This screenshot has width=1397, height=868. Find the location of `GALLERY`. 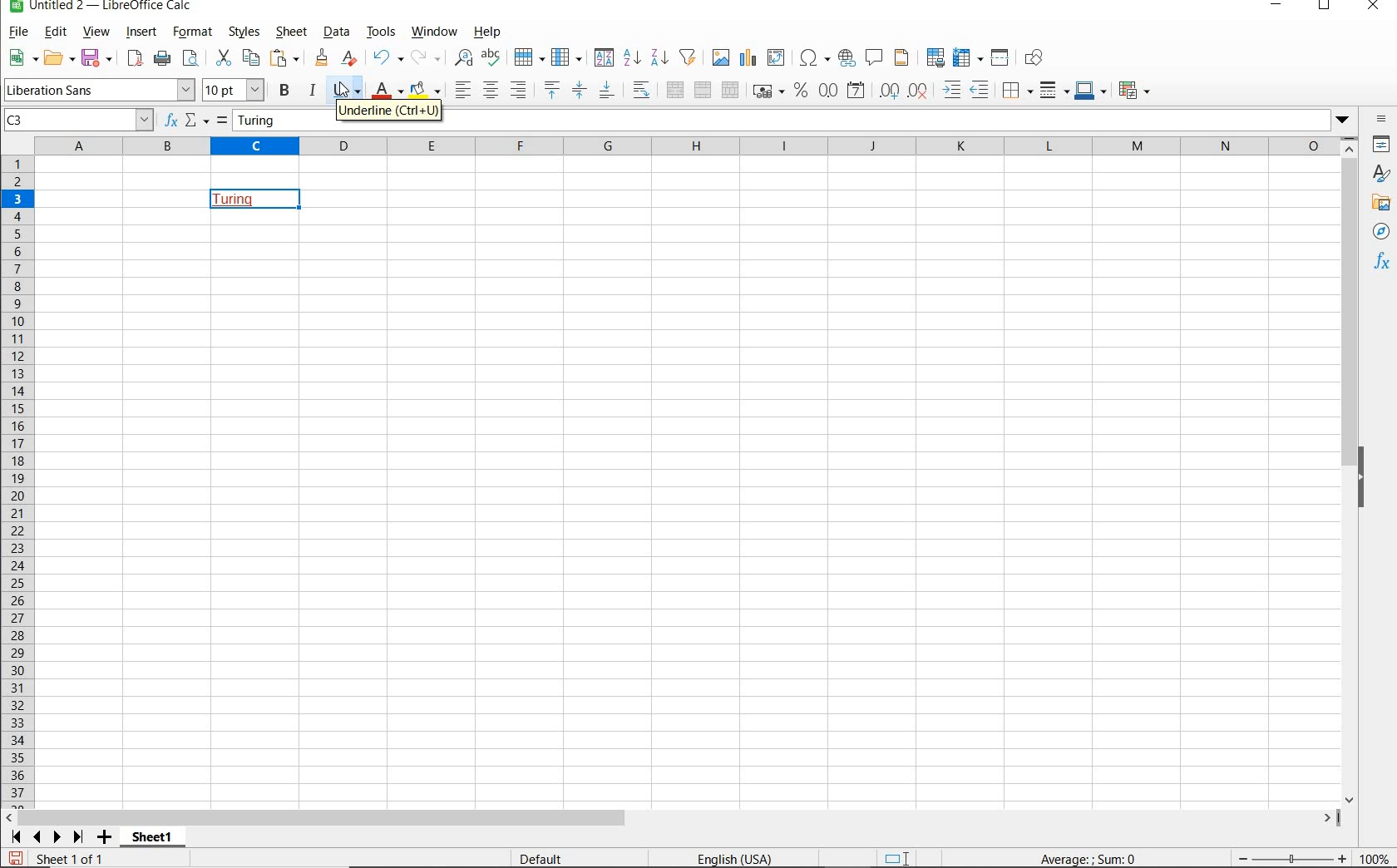

GALLERY is located at coordinates (1383, 204).